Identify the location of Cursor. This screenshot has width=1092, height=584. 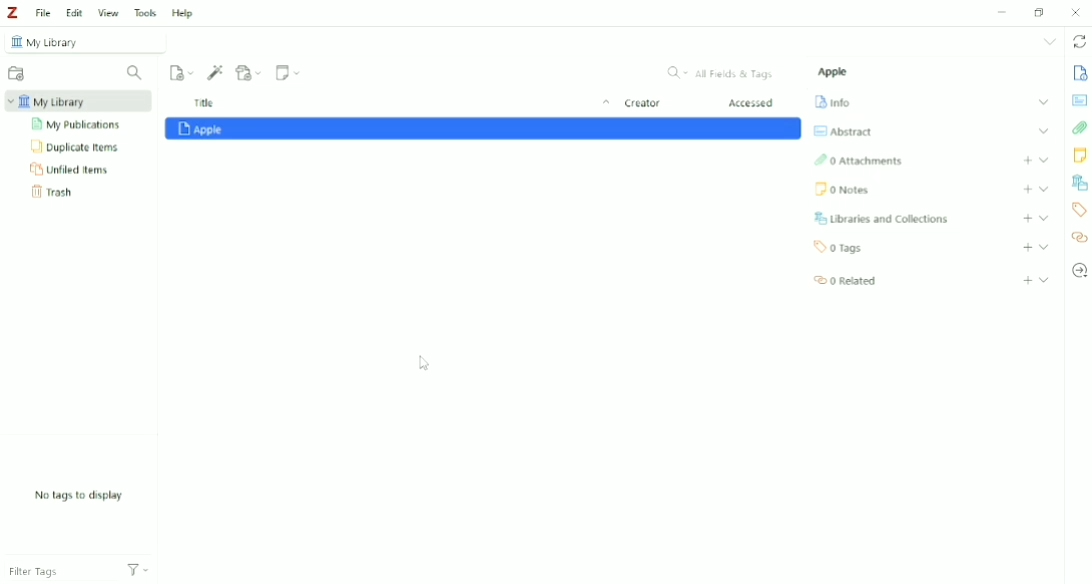
(423, 363).